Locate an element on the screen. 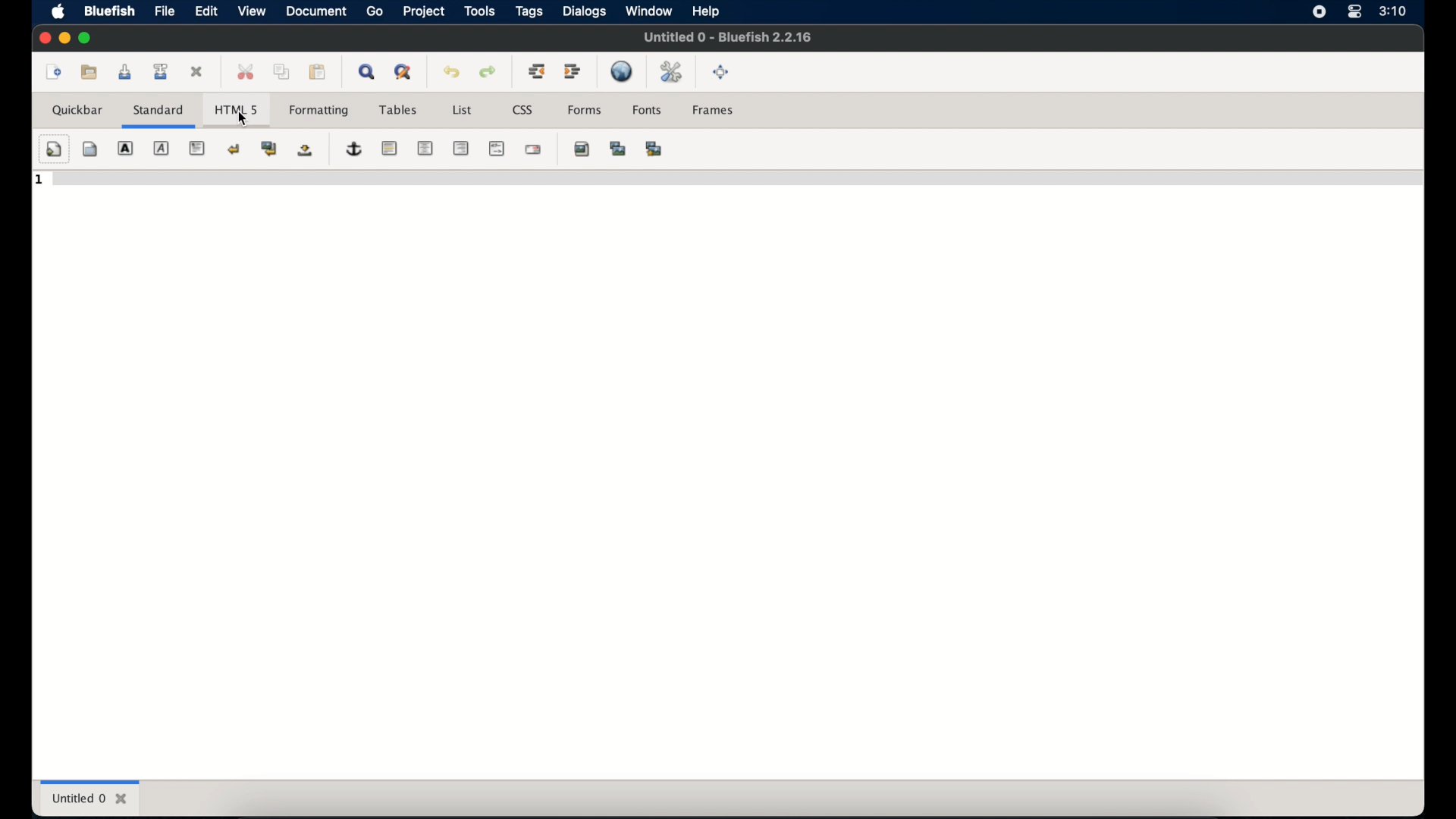 The height and width of the screenshot is (819, 1456). copy is located at coordinates (281, 71).